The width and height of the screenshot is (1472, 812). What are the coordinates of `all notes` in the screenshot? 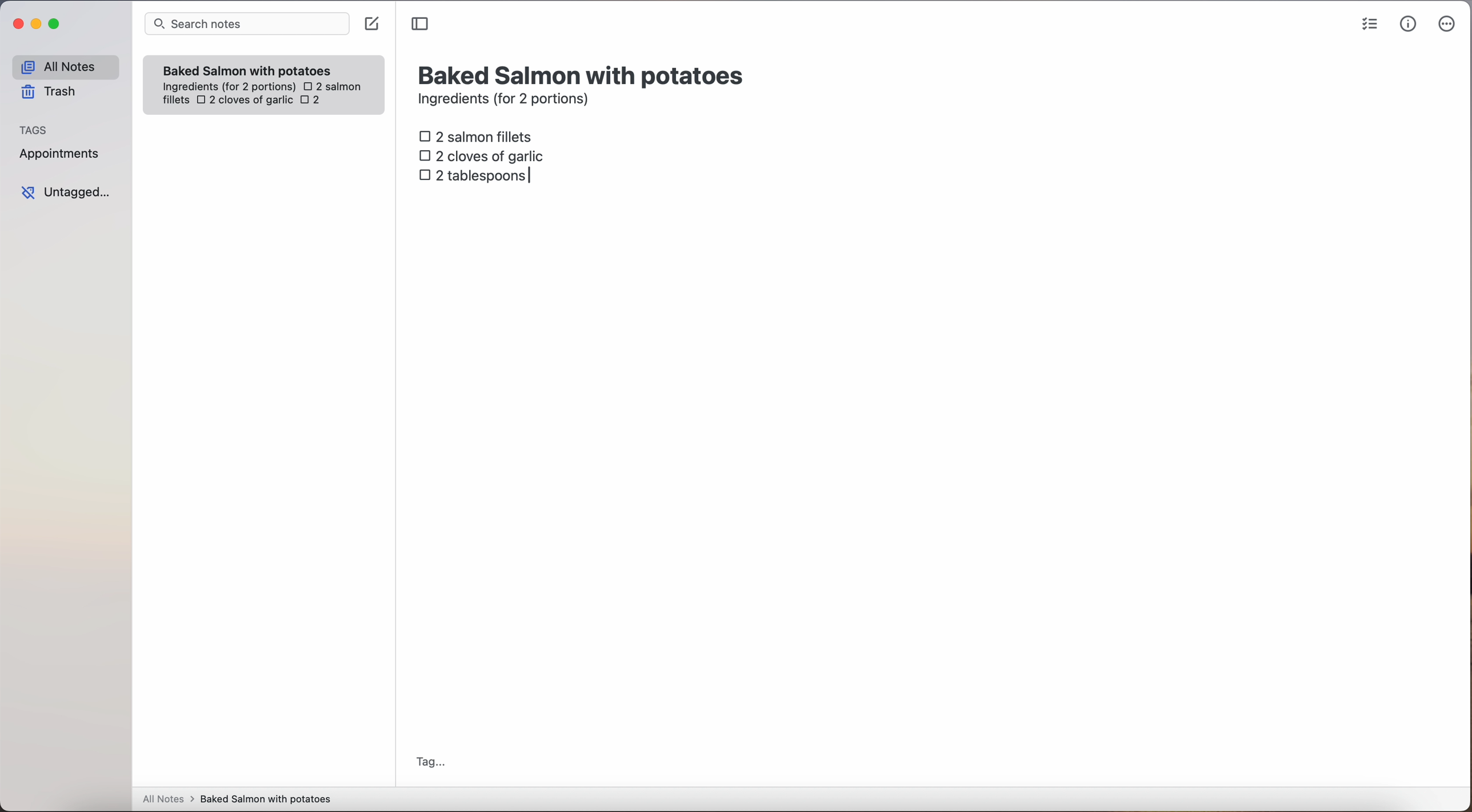 It's located at (65, 66).